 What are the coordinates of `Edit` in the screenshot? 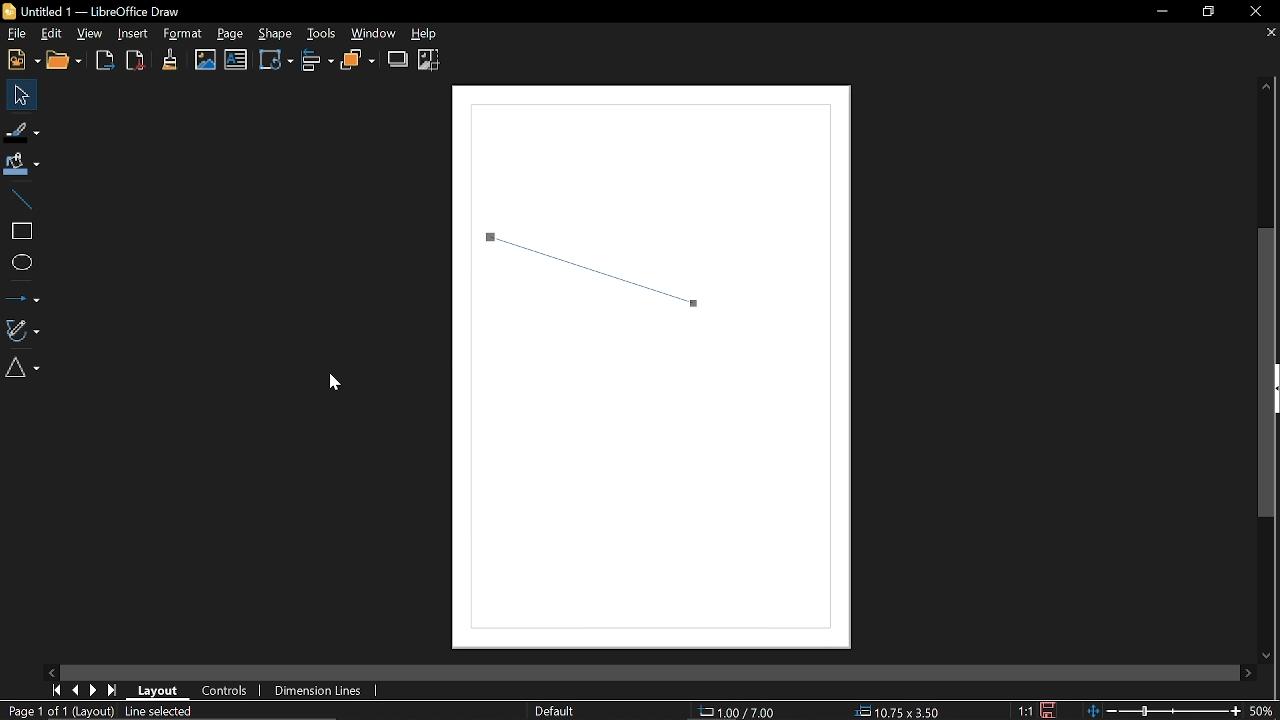 It's located at (52, 32).